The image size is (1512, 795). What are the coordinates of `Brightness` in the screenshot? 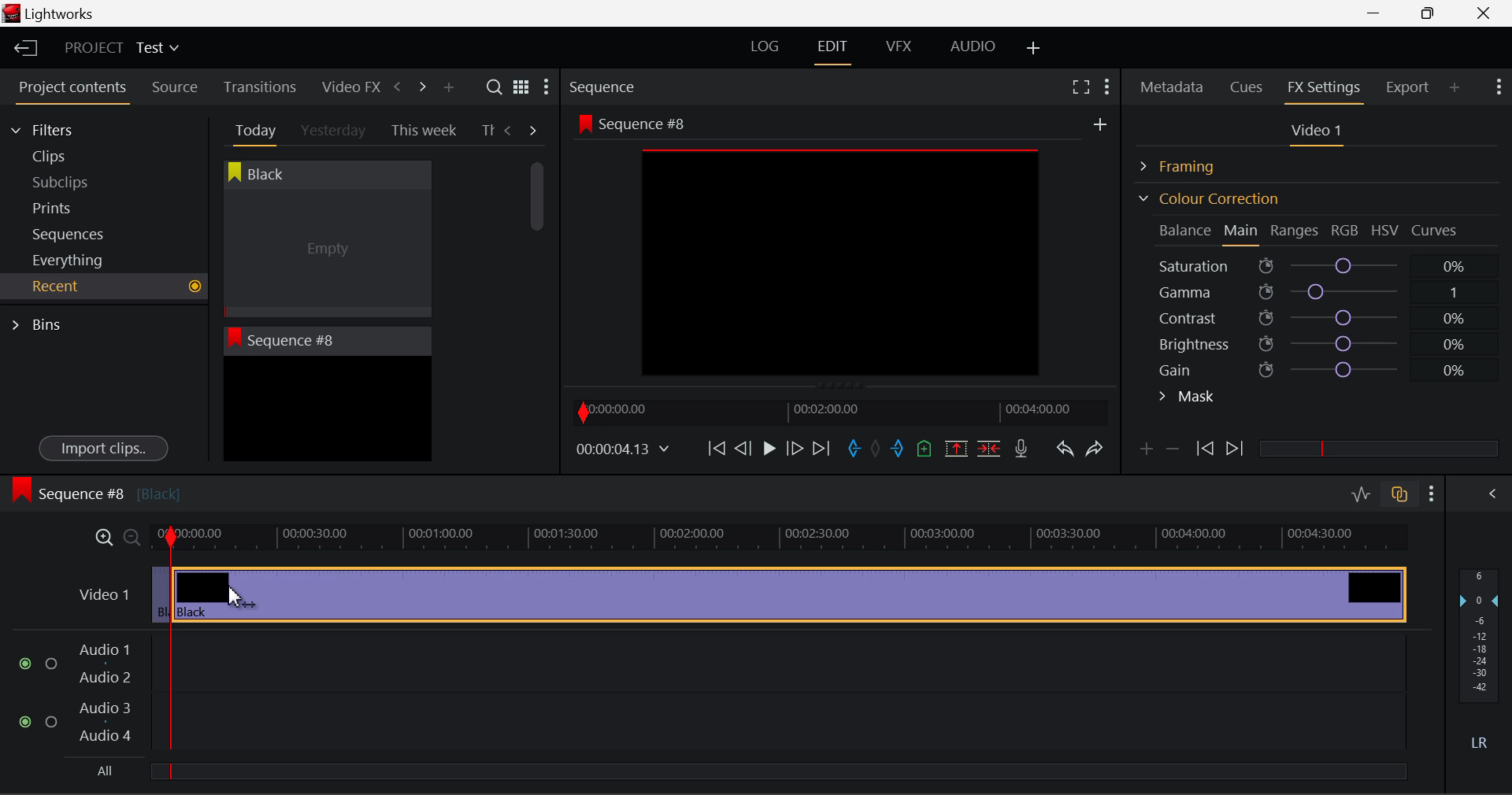 It's located at (1318, 341).